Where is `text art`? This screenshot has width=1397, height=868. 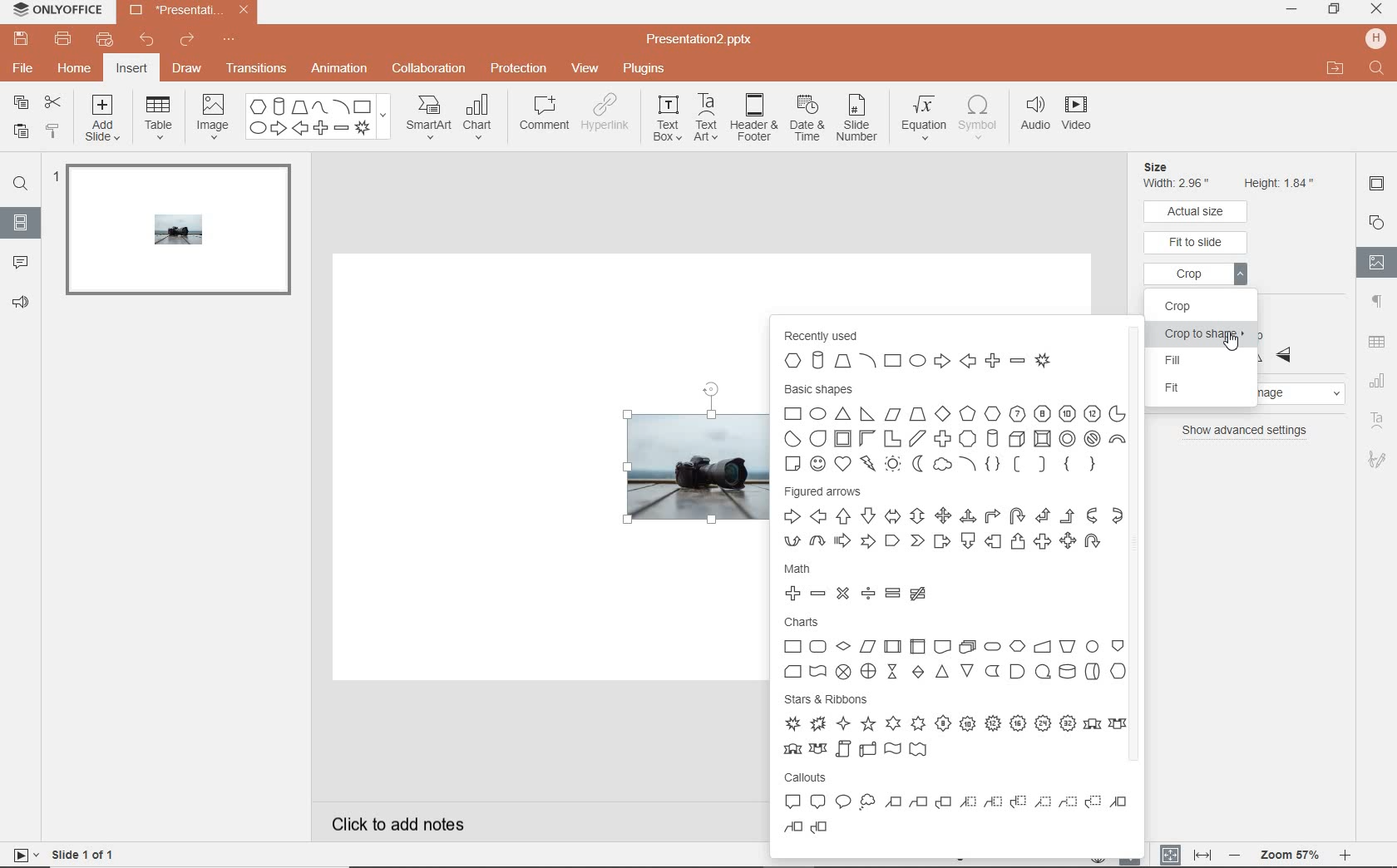
text art is located at coordinates (1377, 421).